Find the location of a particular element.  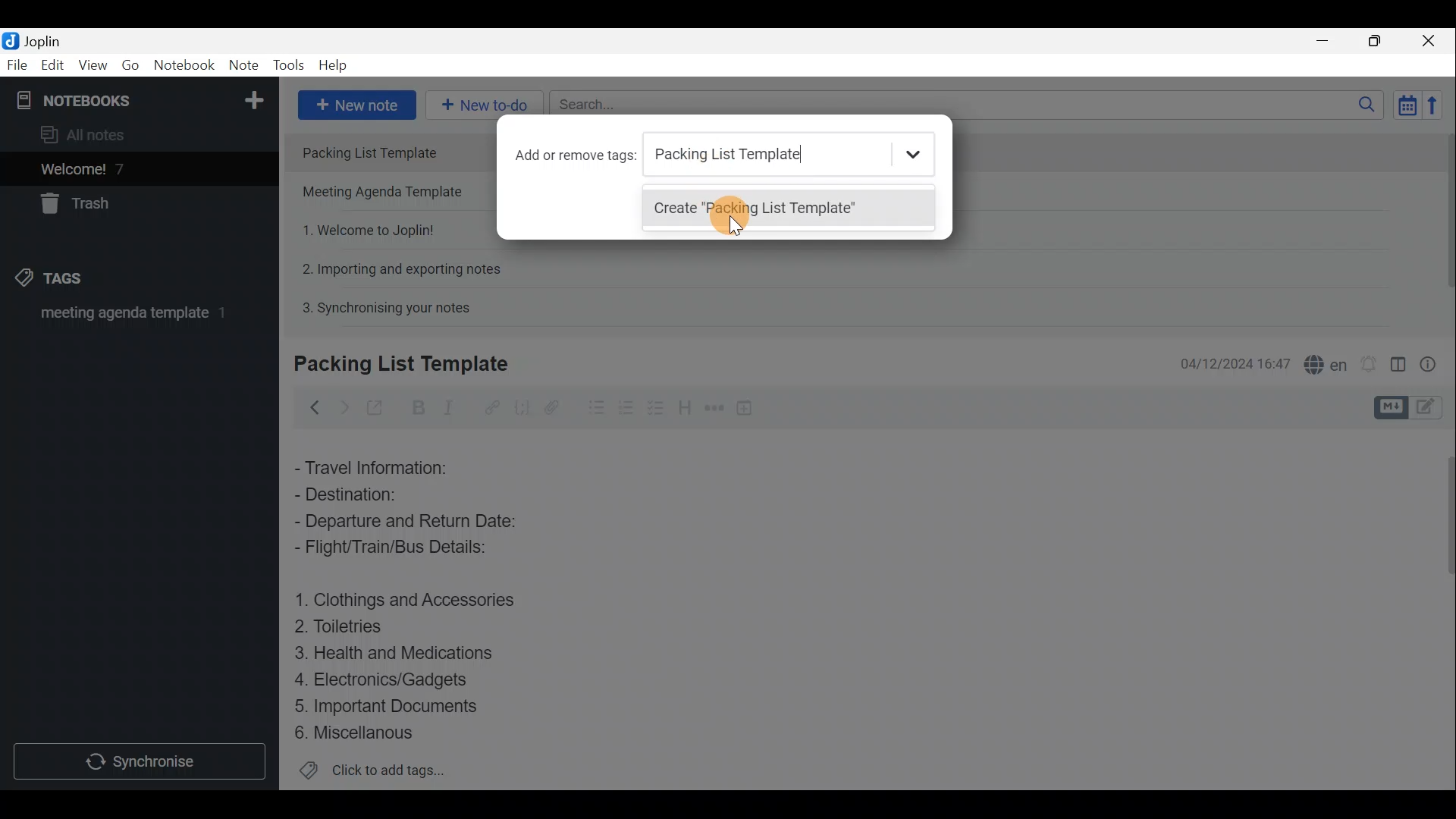

Numbered list is located at coordinates (657, 407).